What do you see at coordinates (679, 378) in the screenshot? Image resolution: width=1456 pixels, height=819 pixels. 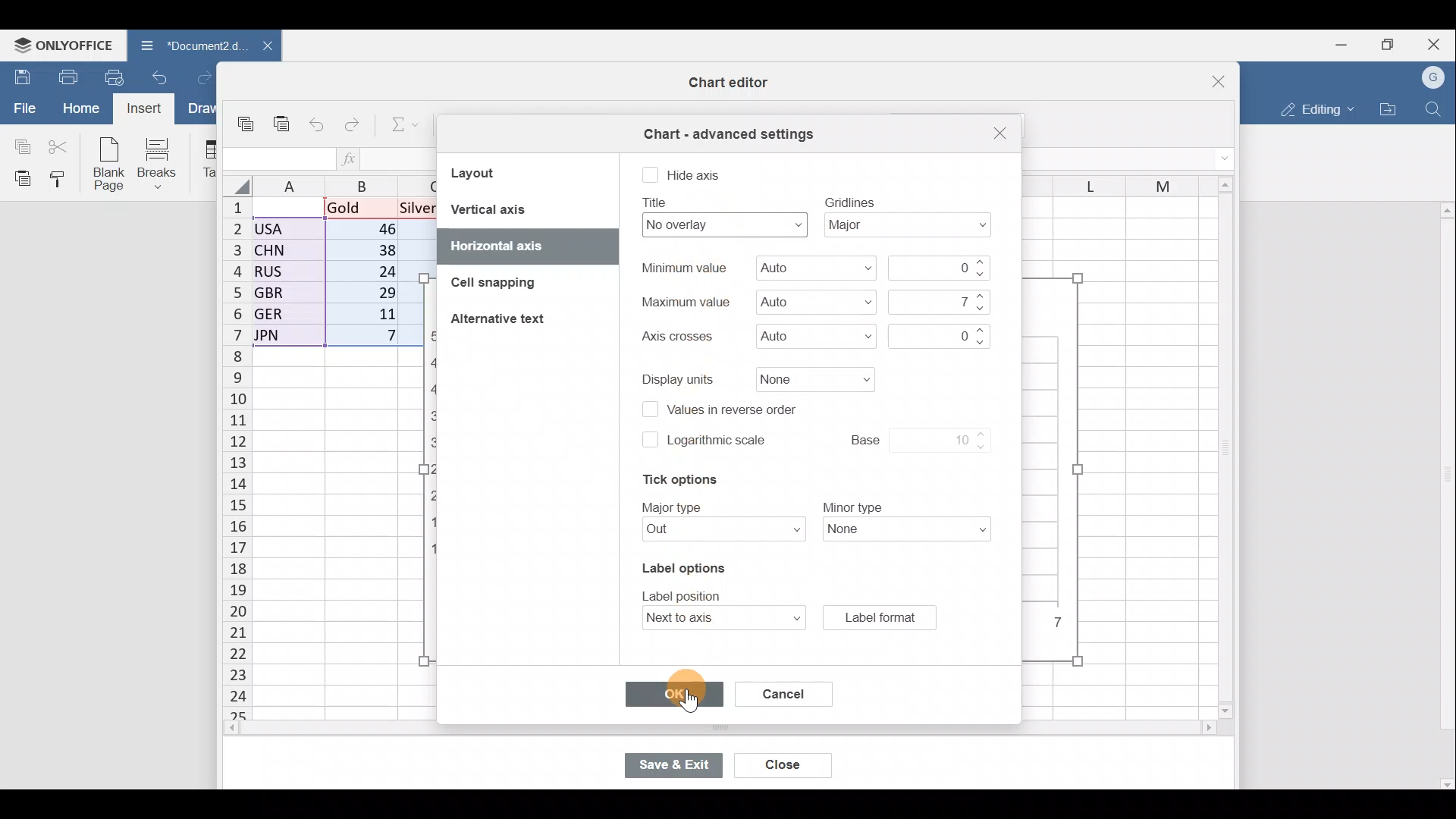 I see `text` at bounding box center [679, 378].